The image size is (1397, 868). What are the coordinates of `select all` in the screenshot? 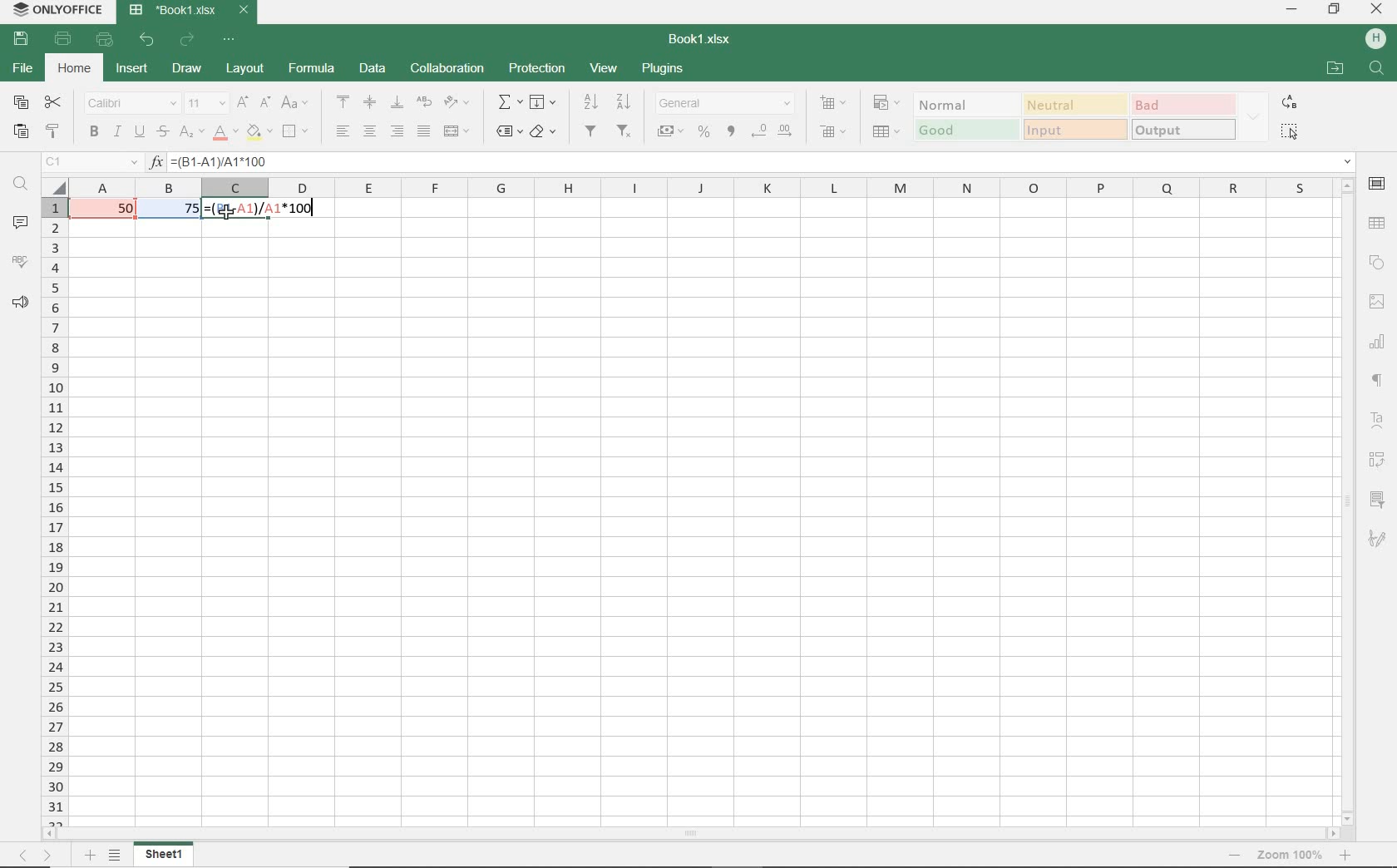 It's located at (1292, 131).